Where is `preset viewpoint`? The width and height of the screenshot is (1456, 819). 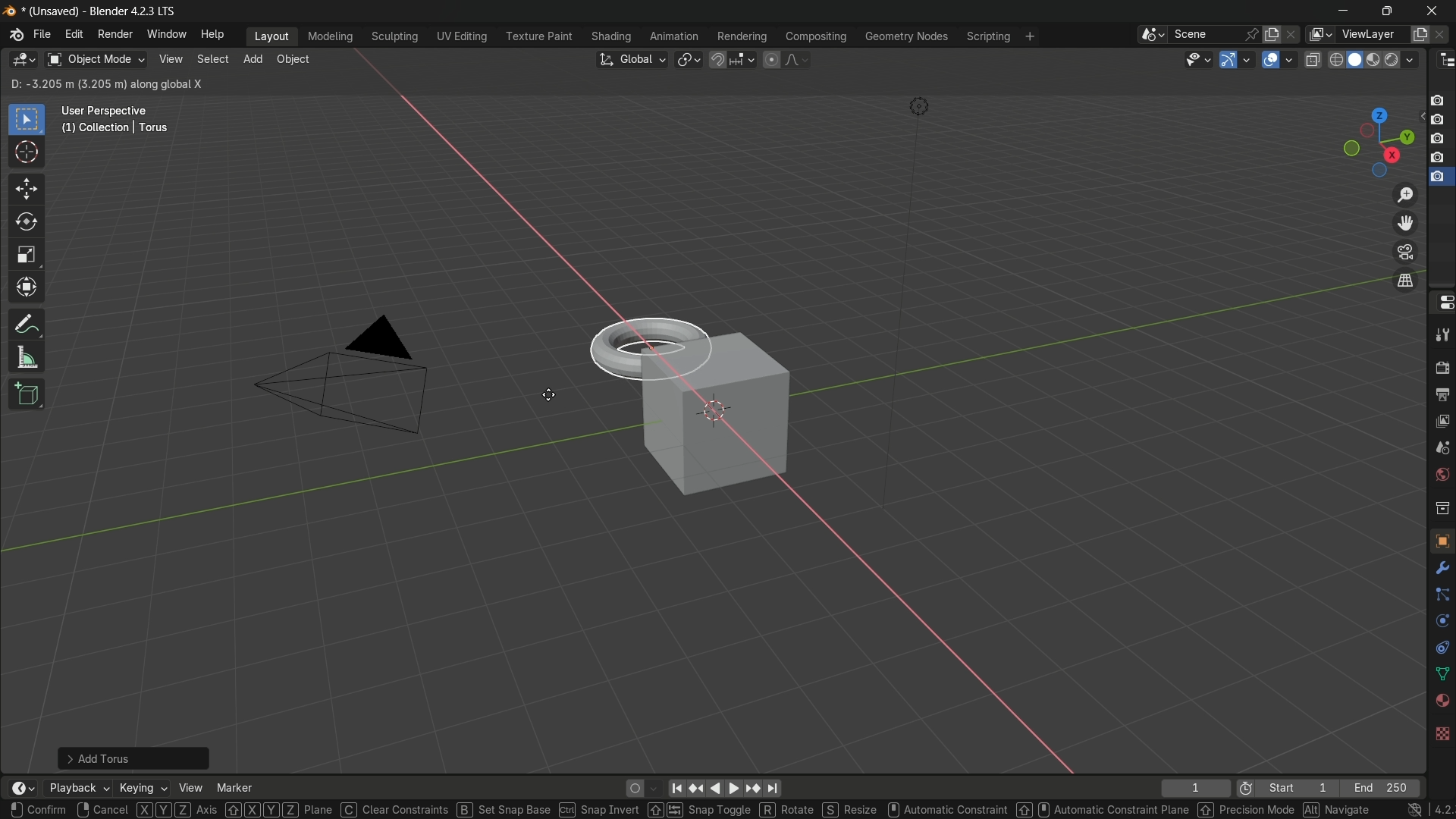 preset viewpoint is located at coordinates (1378, 143).